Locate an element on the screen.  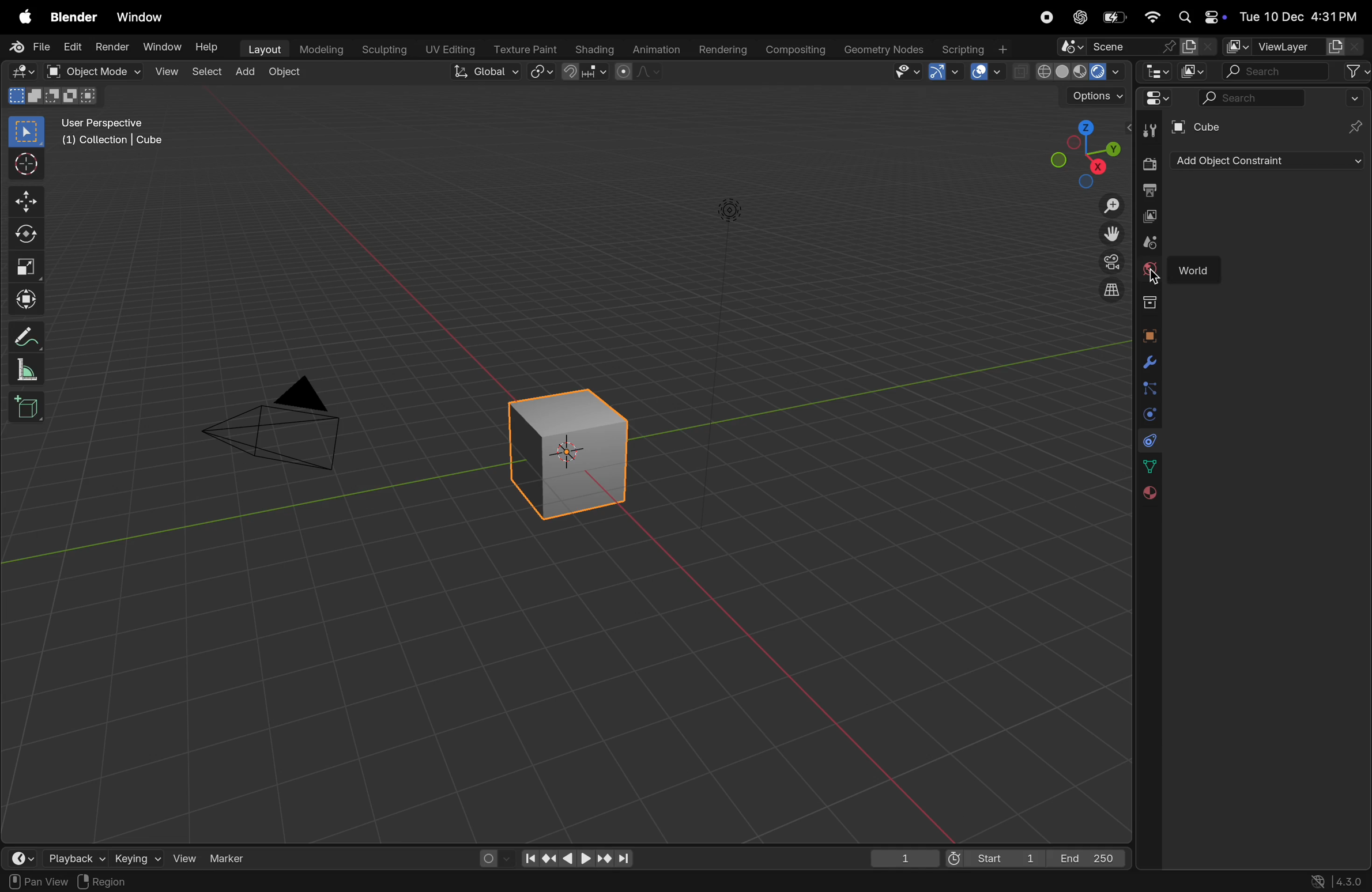
 is located at coordinates (1148, 191).